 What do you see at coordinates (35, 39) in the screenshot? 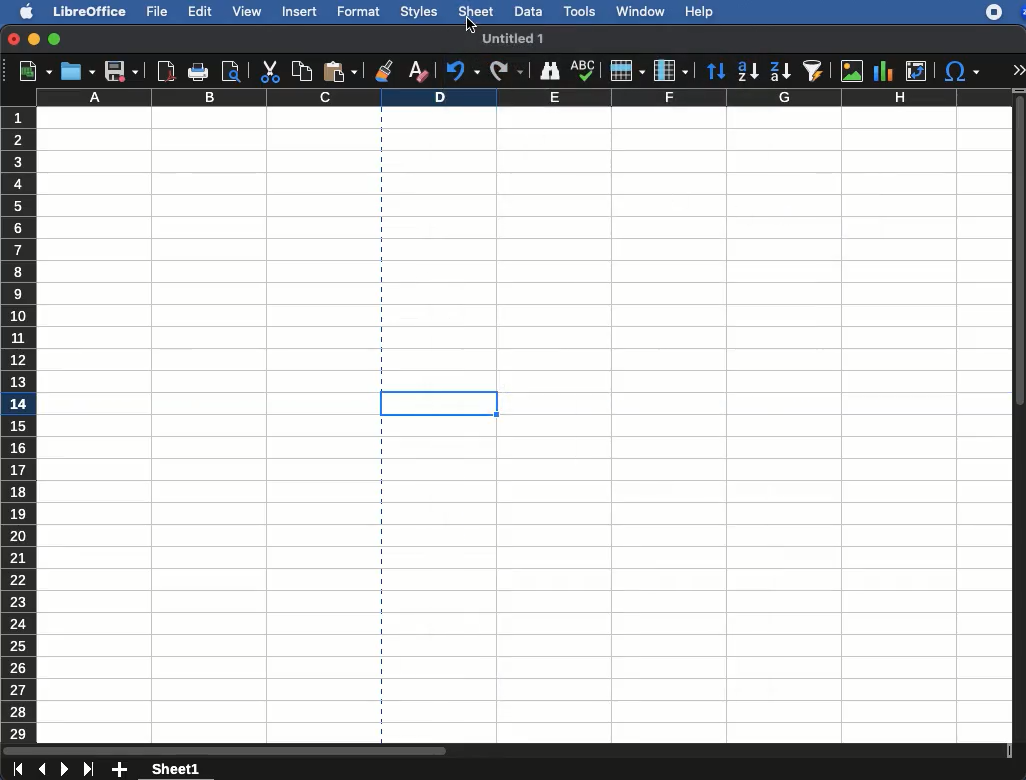
I see `minimize` at bounding box center [35, 39].